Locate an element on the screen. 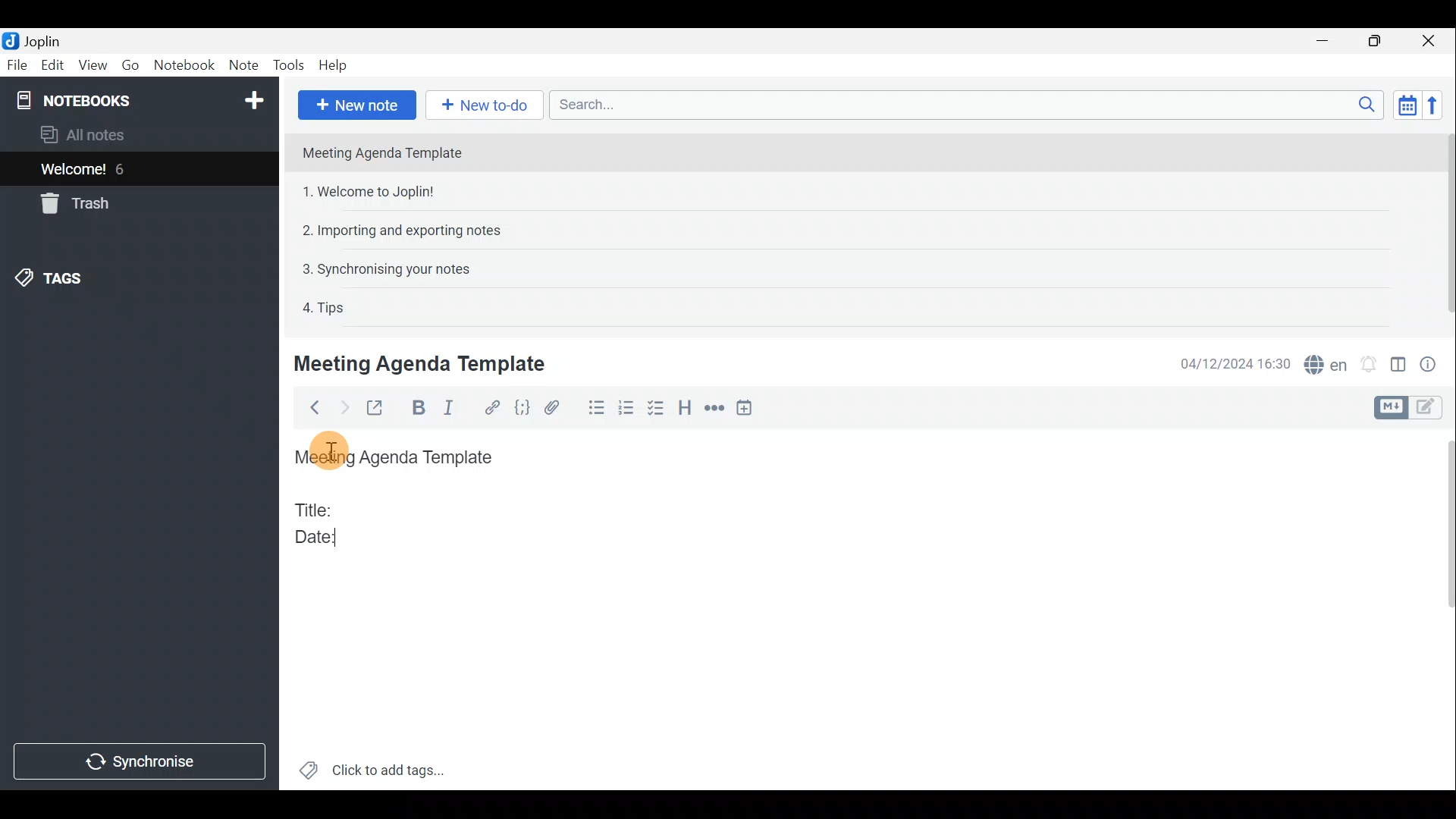 This screenshot has height=819, width=1456. View is located at coordinates (90, 67).